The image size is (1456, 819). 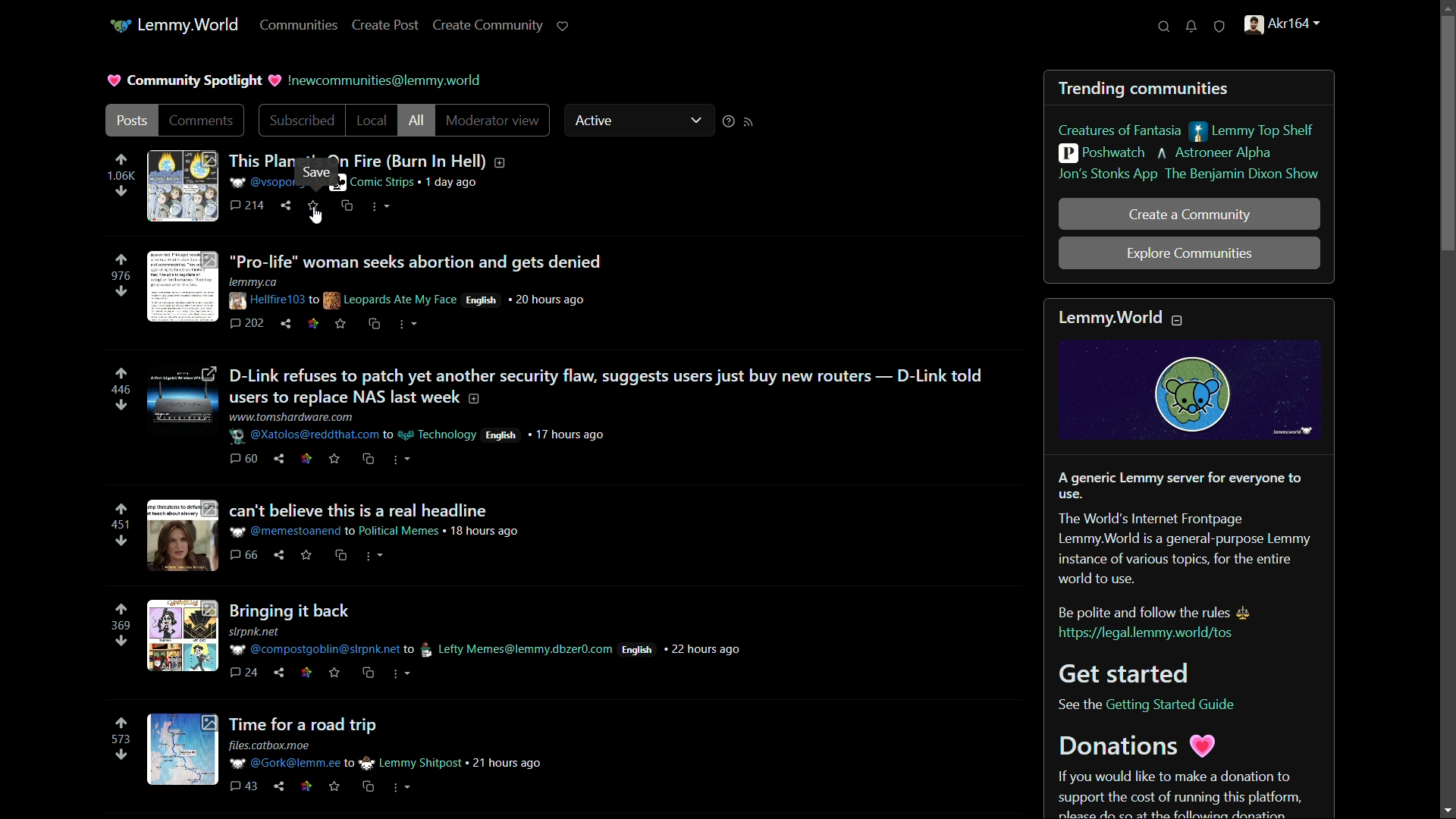 What do you see at coordinates (1282, 24) in the screenshot?
I see `profile` at bounding box center [1282, 24].